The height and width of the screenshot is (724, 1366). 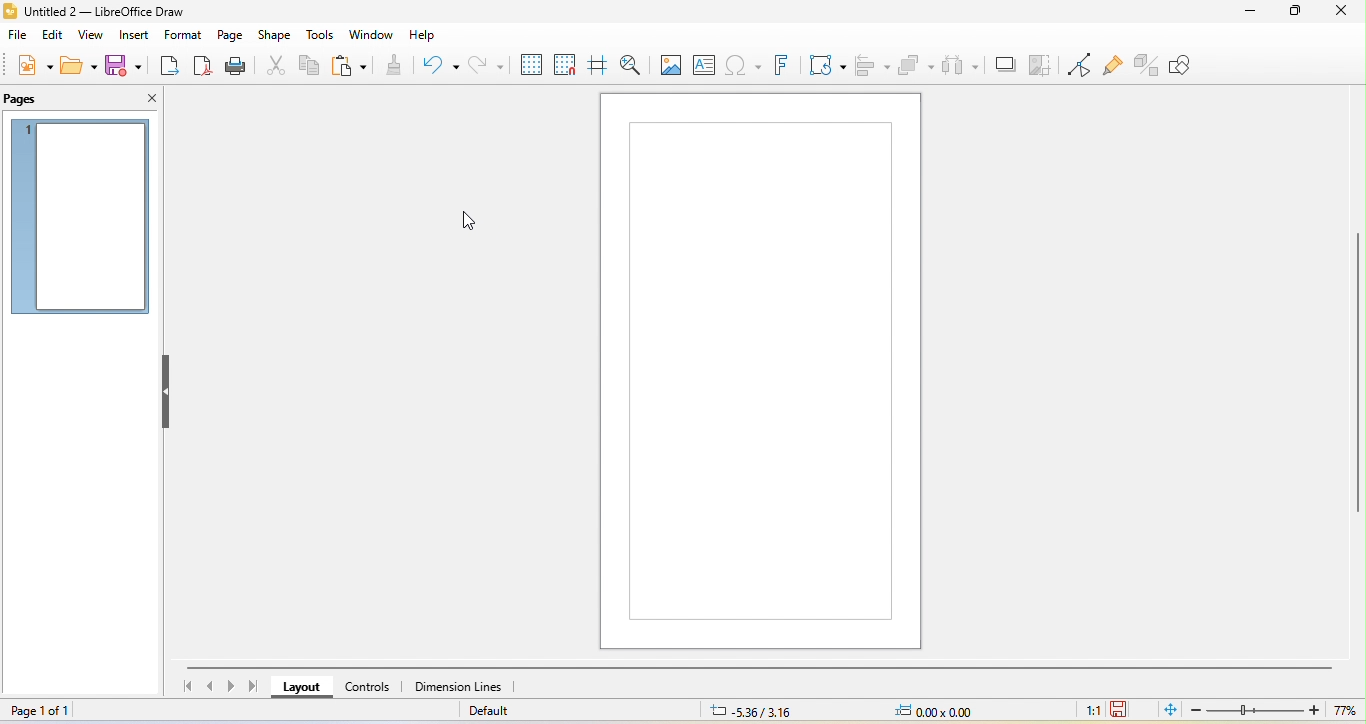 I want to click on view, so click(x=89, y=37).